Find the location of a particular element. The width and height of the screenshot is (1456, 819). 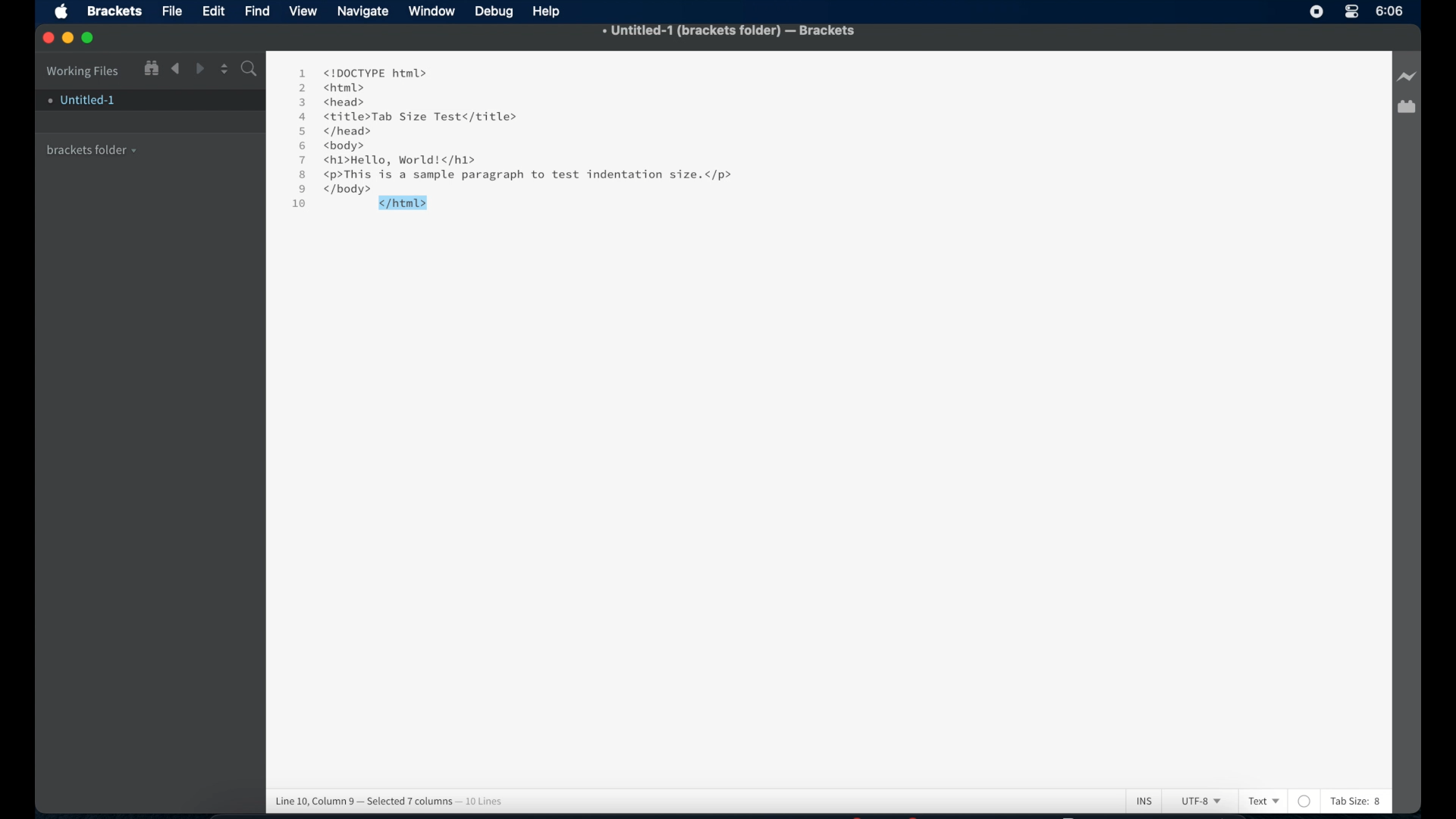

Icon is located at coordinates (65, 13).